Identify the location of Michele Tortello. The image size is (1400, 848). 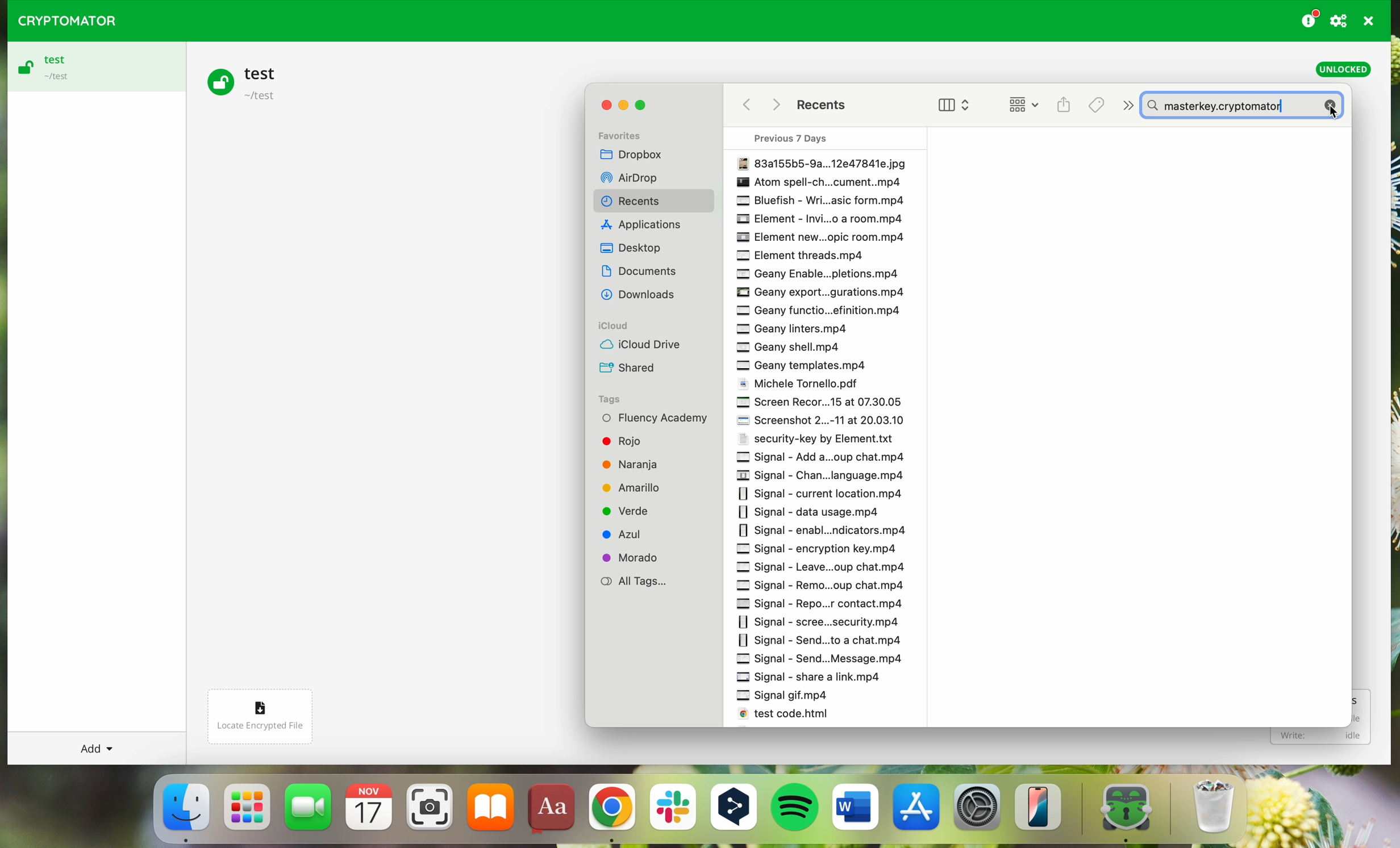
(805, 386).